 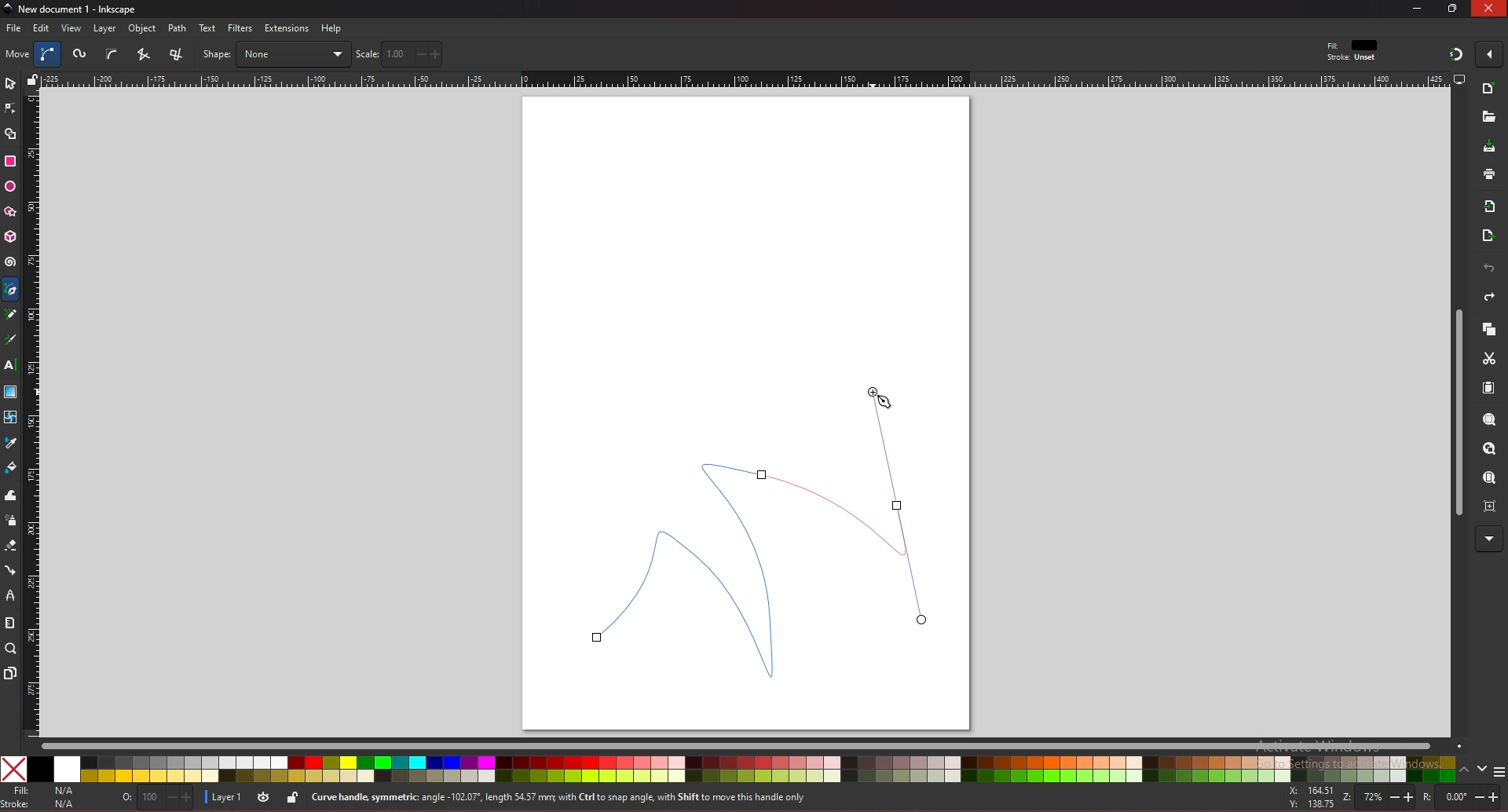 What do you see at coordinates (1492, 505) in the screenshot?
I see `zoom centre page` at bounding box center [1492, 505].